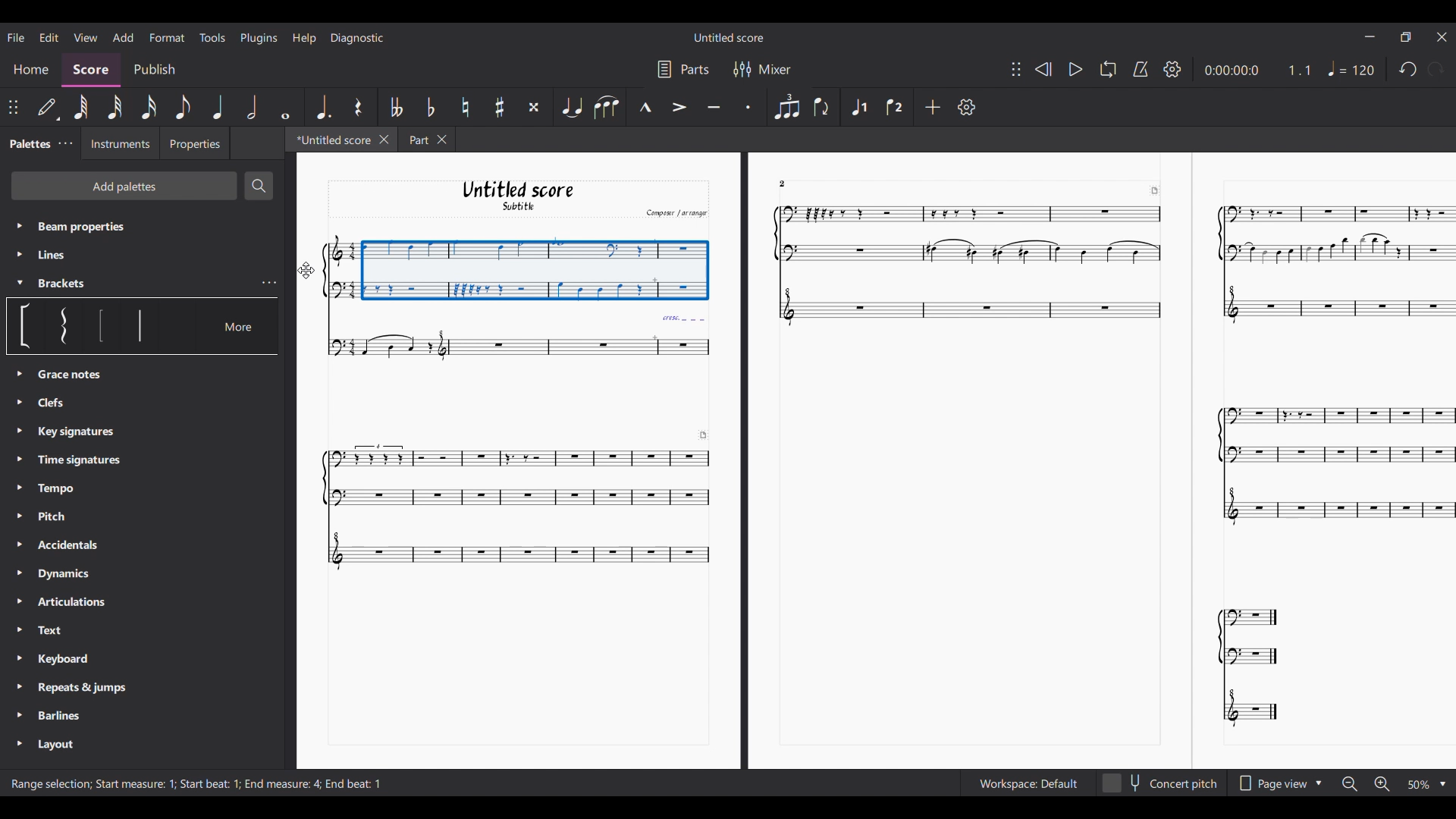  Describe the element at coordinates (20, 430) in the screenshot. I see `` at that location.